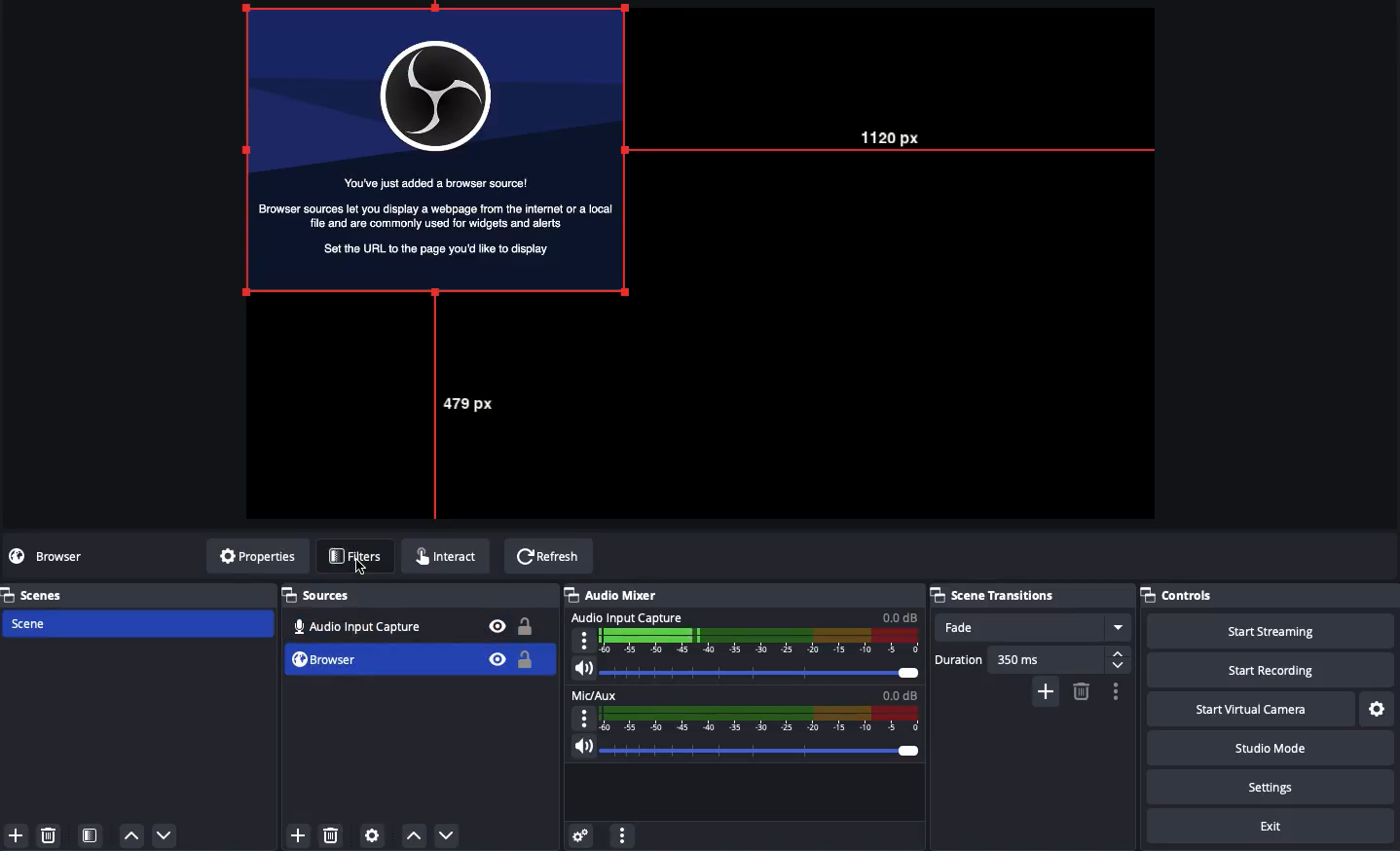  I want to click on Audio input capture, so click(745, 632).